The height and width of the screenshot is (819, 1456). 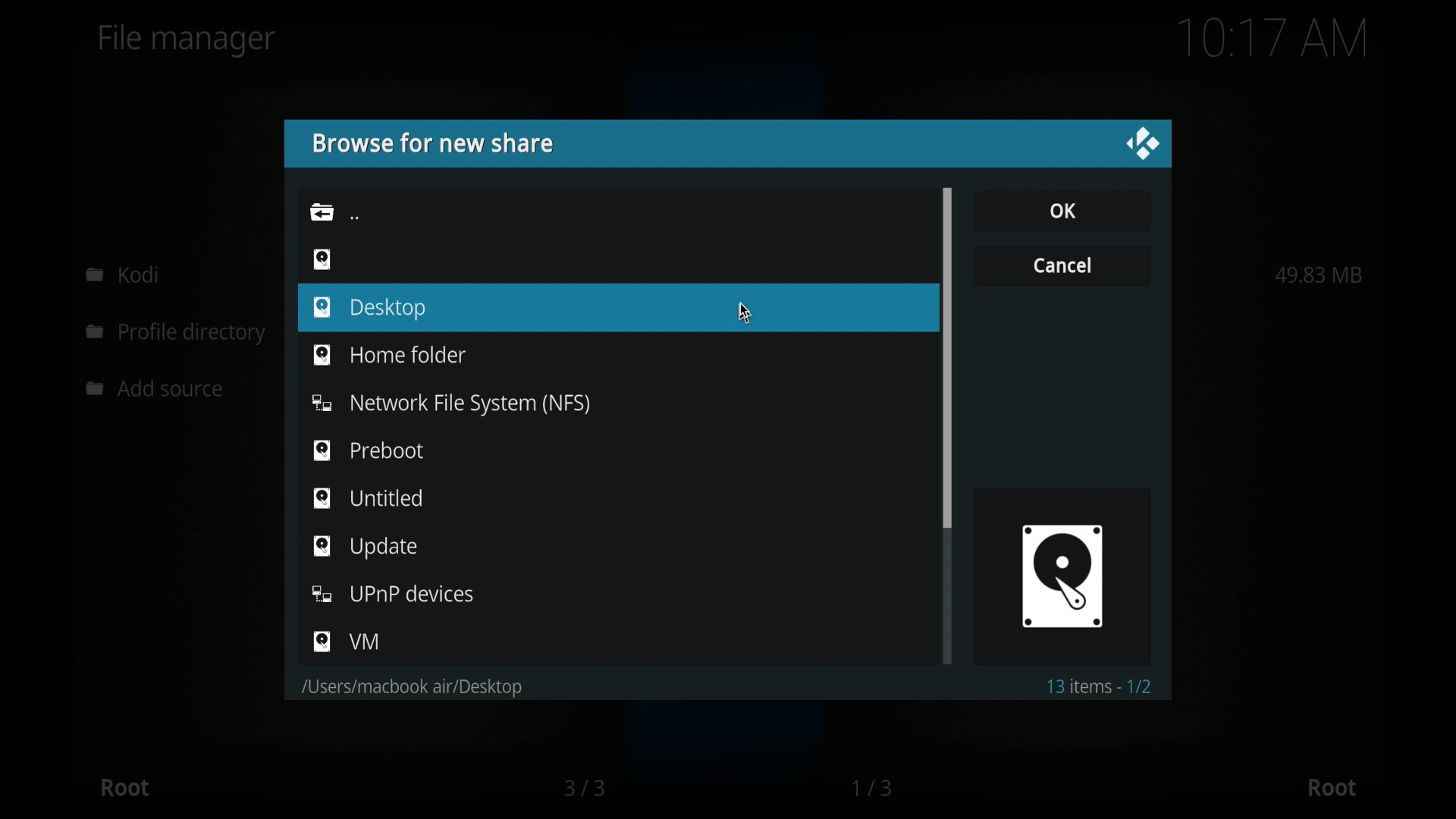 I want to click on untitled, so click(x=369, y=497).